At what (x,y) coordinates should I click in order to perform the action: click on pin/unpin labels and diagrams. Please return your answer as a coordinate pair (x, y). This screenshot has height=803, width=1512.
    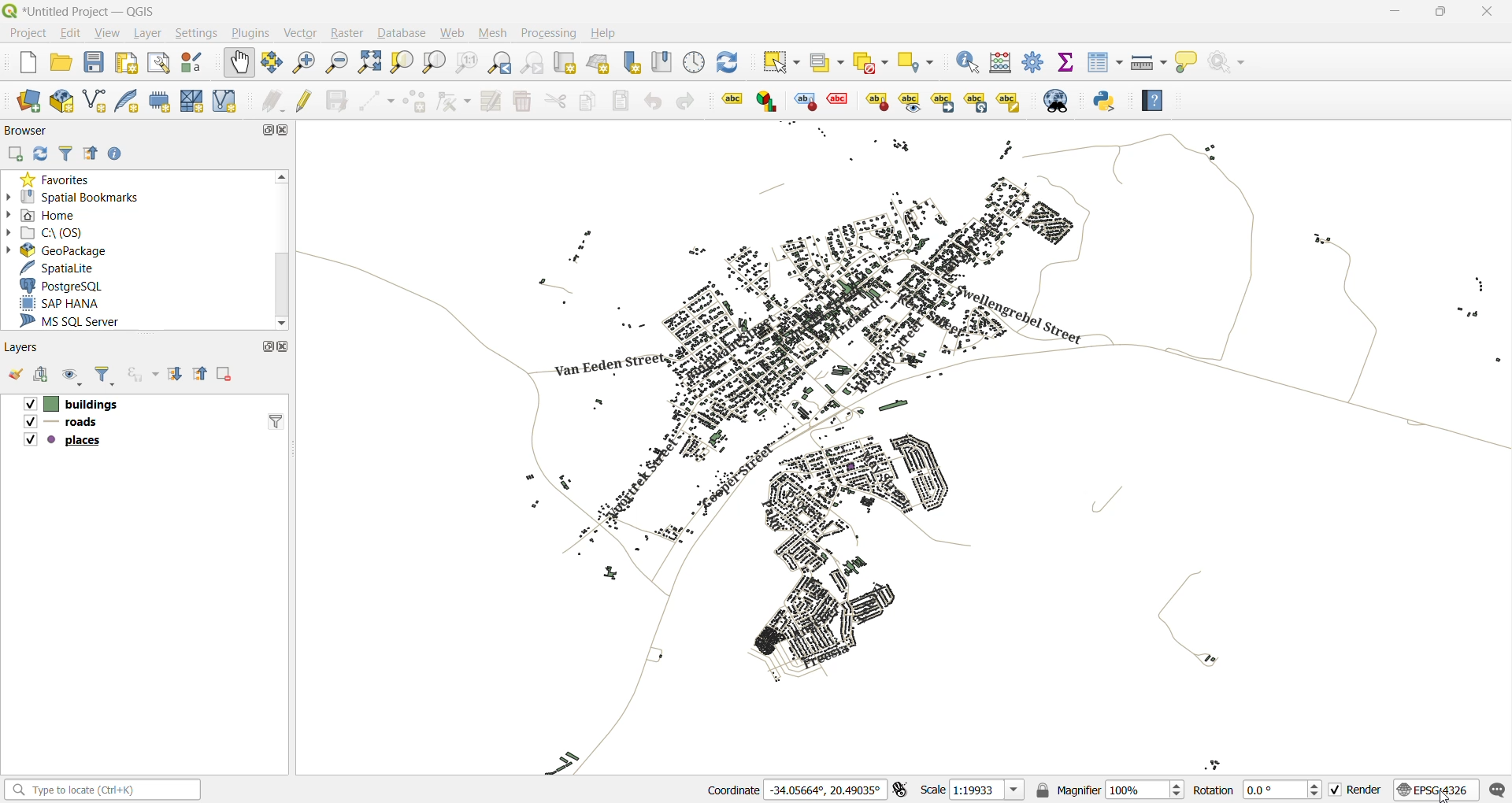
    Looking at the image, I should click on (876, 102).